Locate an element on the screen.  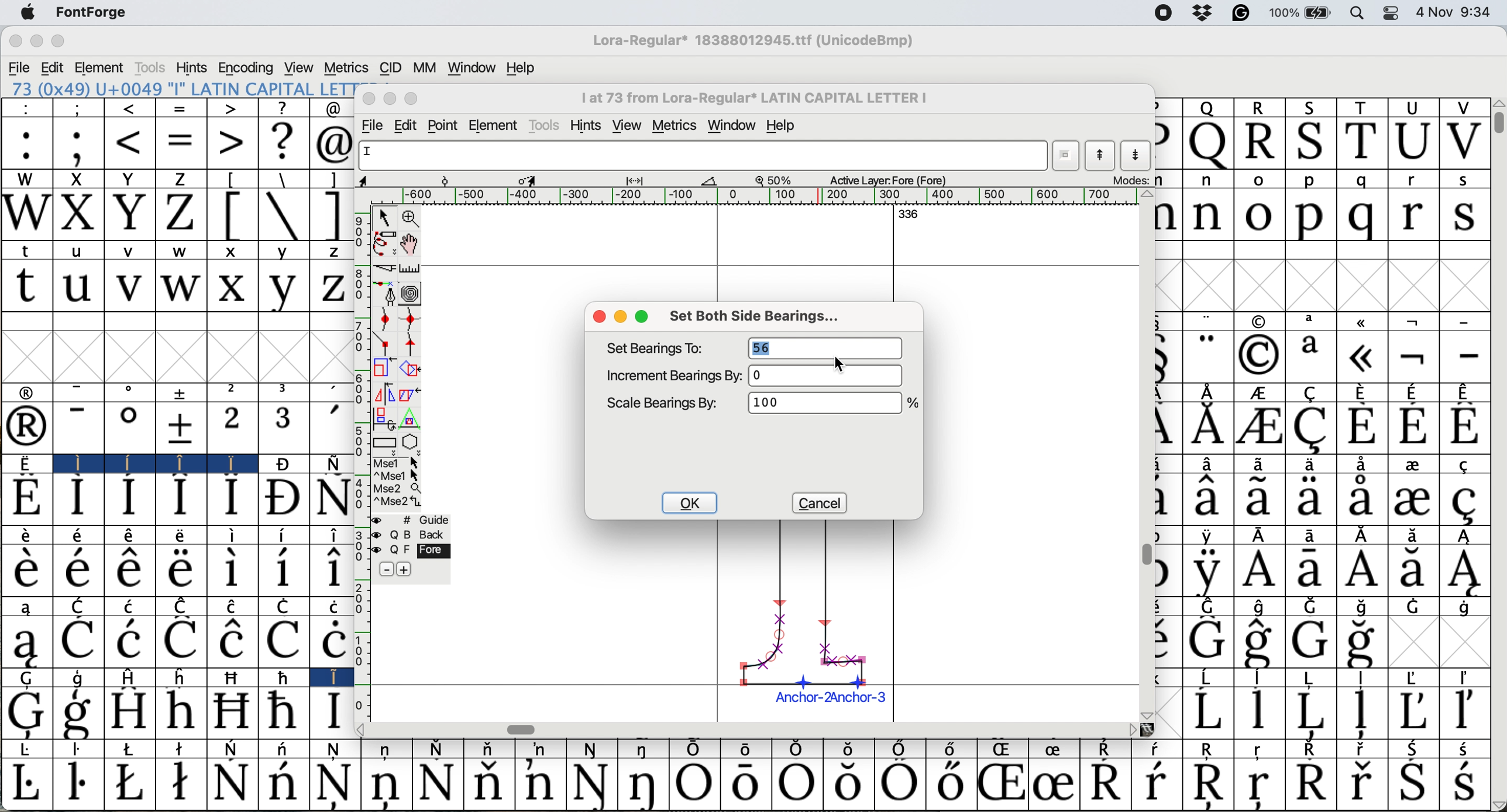
a is located at coordinates (1312, 356).